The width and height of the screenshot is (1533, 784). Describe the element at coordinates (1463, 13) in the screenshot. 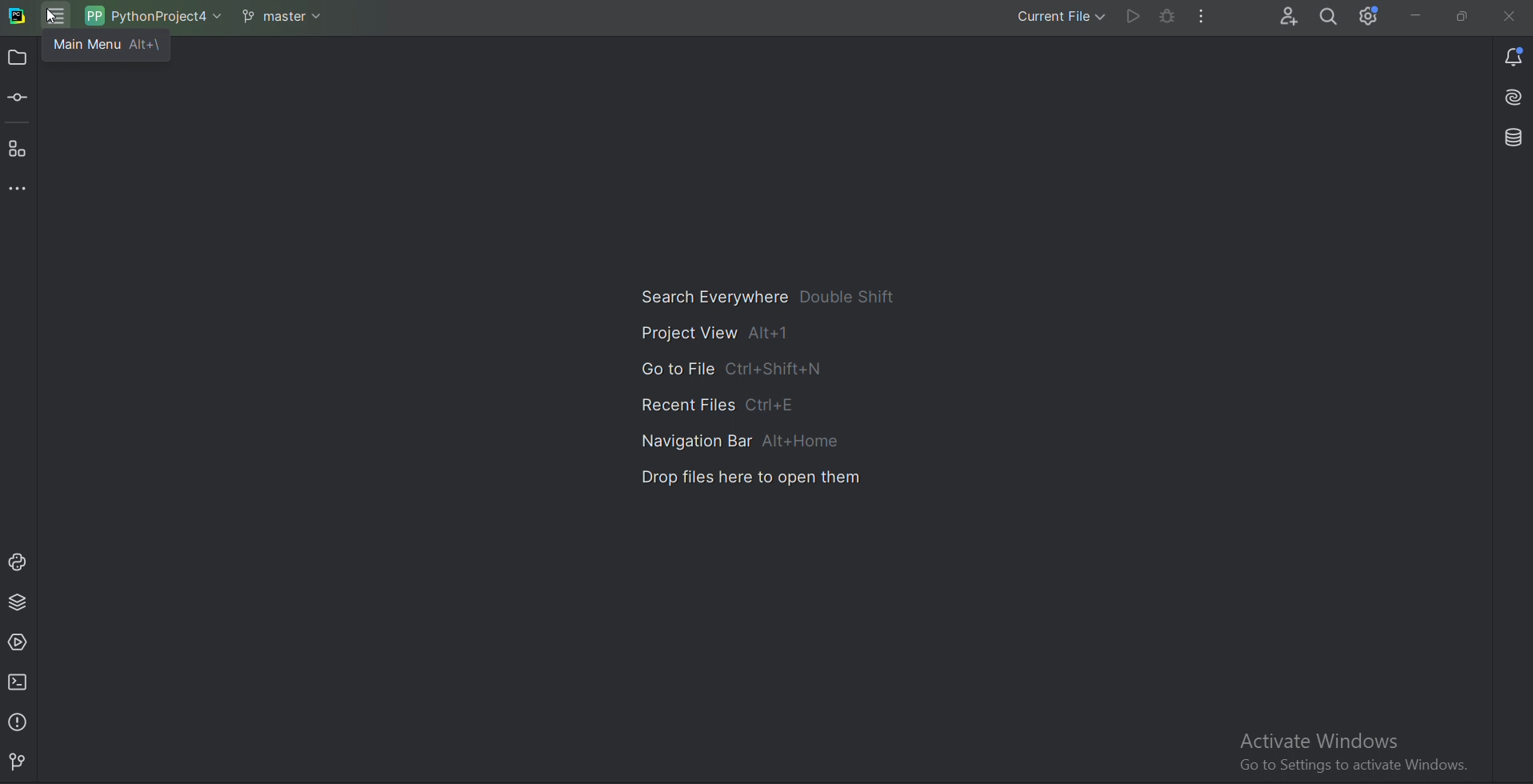

I see `Restore down` at that location.